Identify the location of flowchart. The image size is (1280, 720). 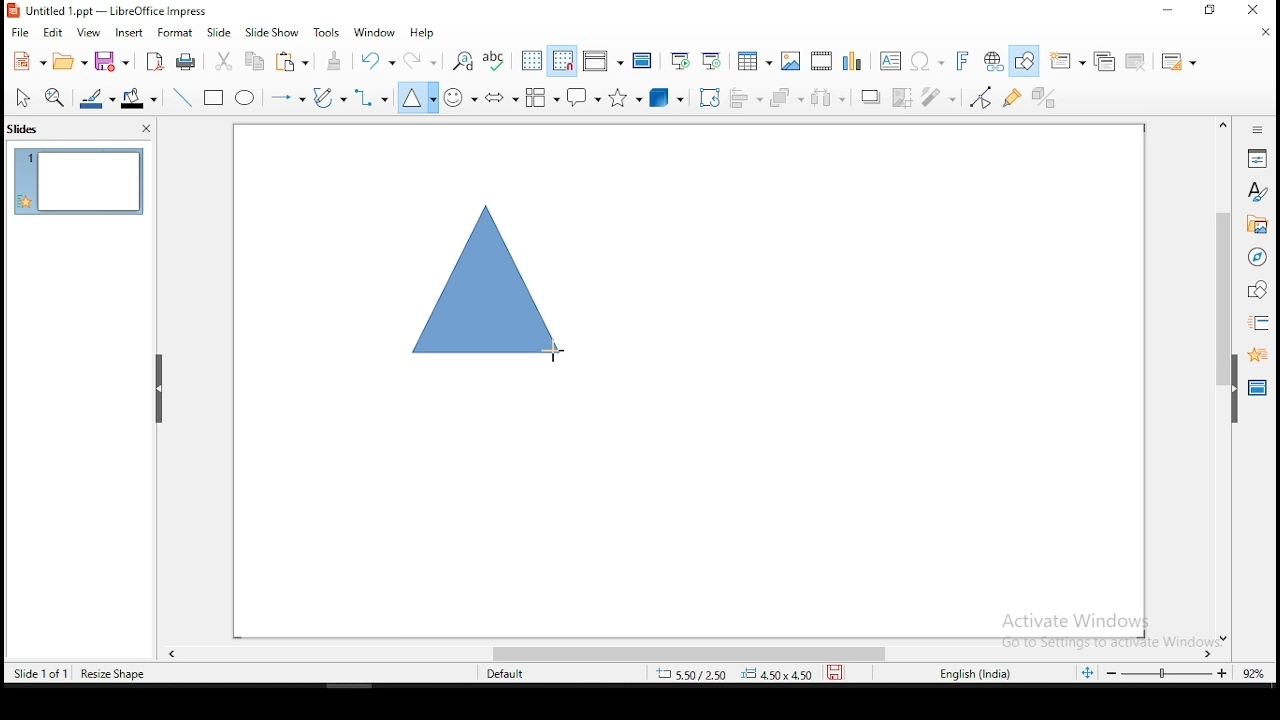
(543, 97).